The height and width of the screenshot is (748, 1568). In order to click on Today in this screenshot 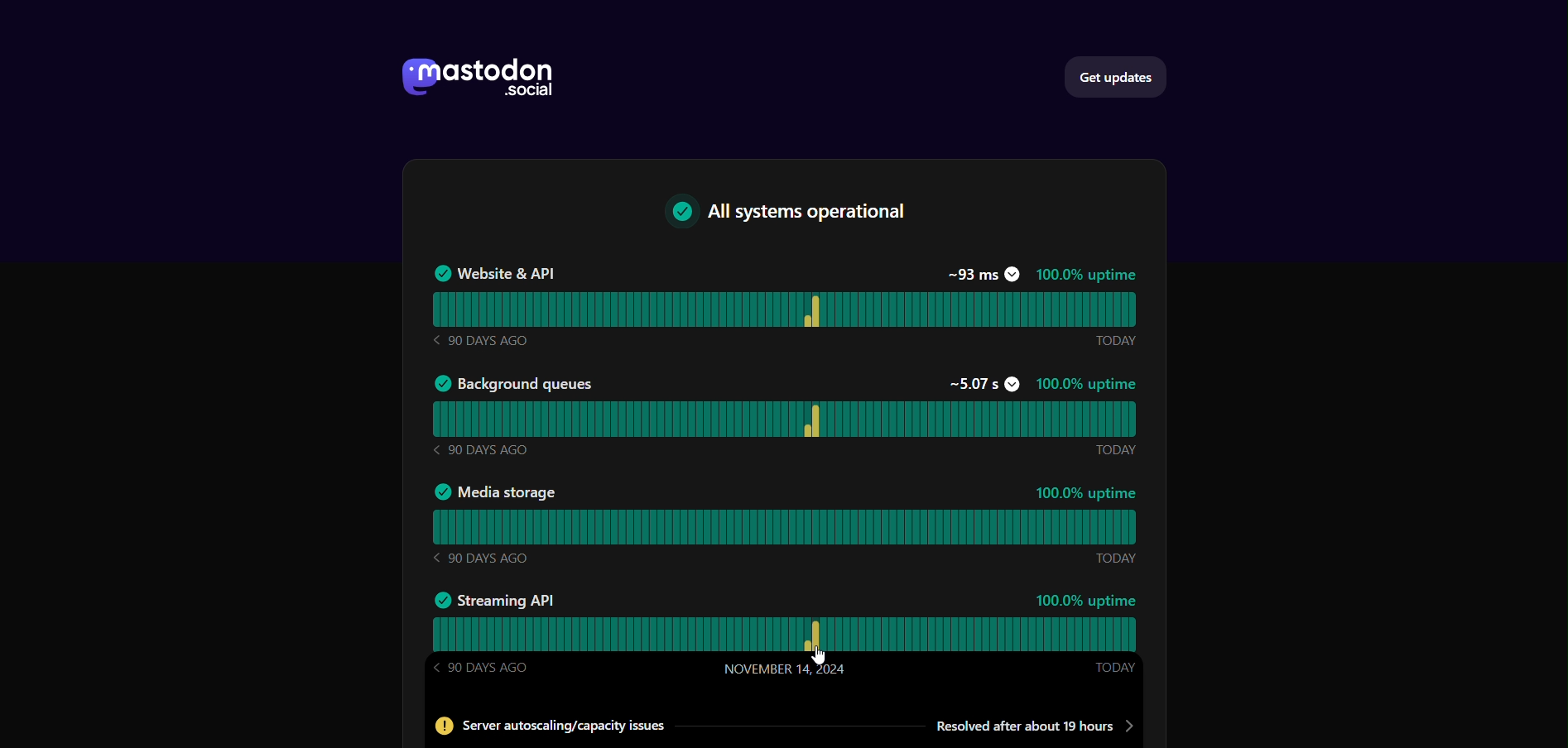, I will do `click(1114, 669)`.